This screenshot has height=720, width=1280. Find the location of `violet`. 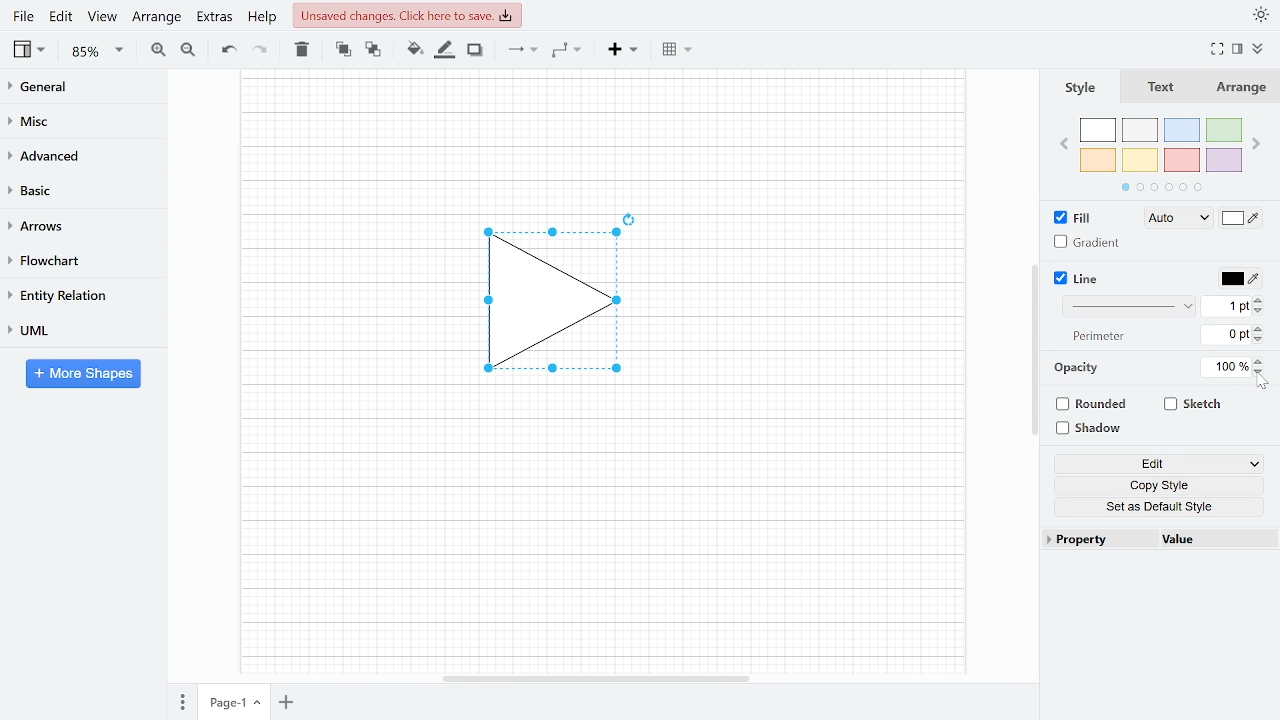

violet is located at coordinates (1223, 160).